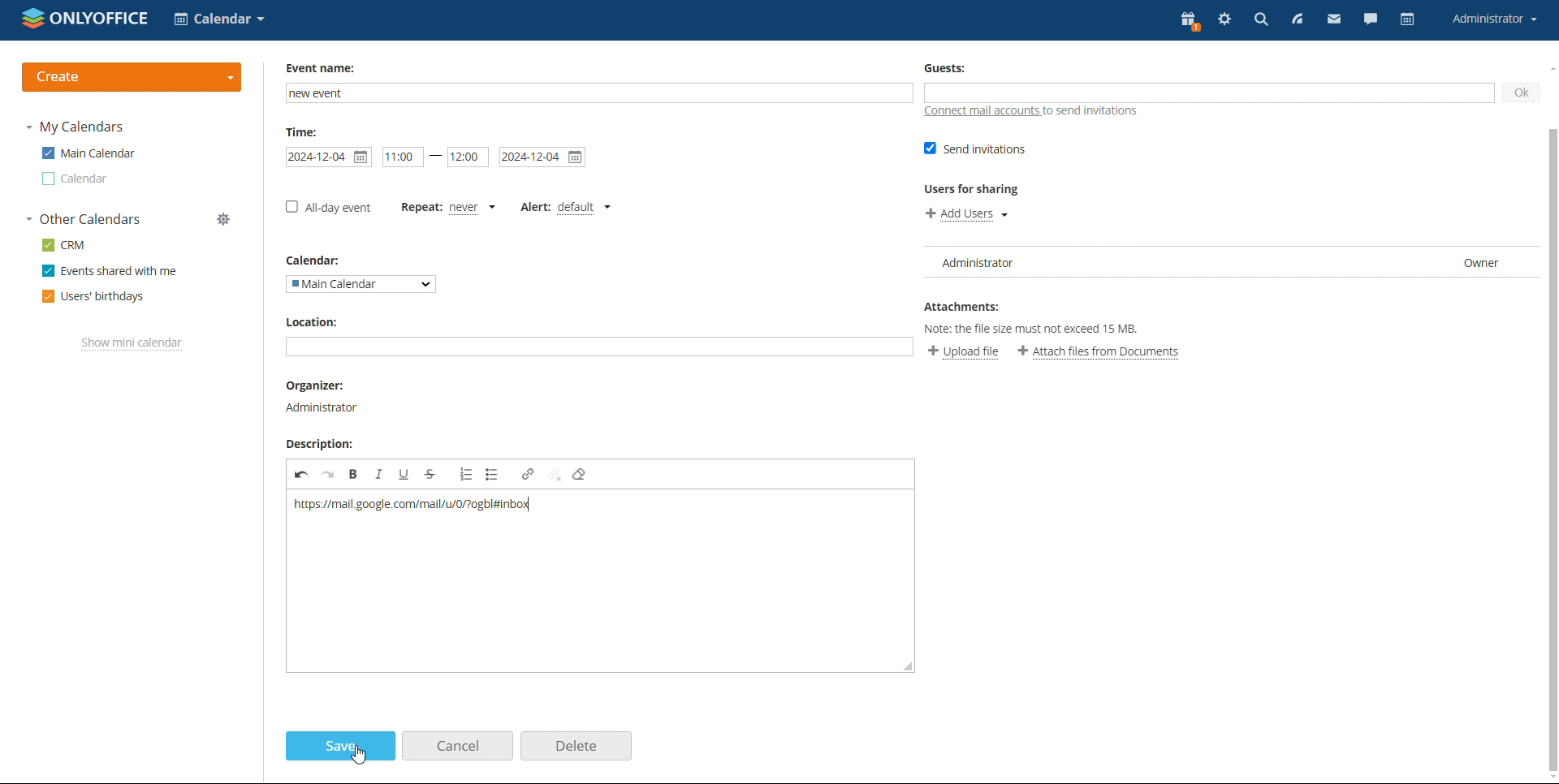 This screenshot has width=1559, height=784. I want to click on Calendar:, so click(322, 262).